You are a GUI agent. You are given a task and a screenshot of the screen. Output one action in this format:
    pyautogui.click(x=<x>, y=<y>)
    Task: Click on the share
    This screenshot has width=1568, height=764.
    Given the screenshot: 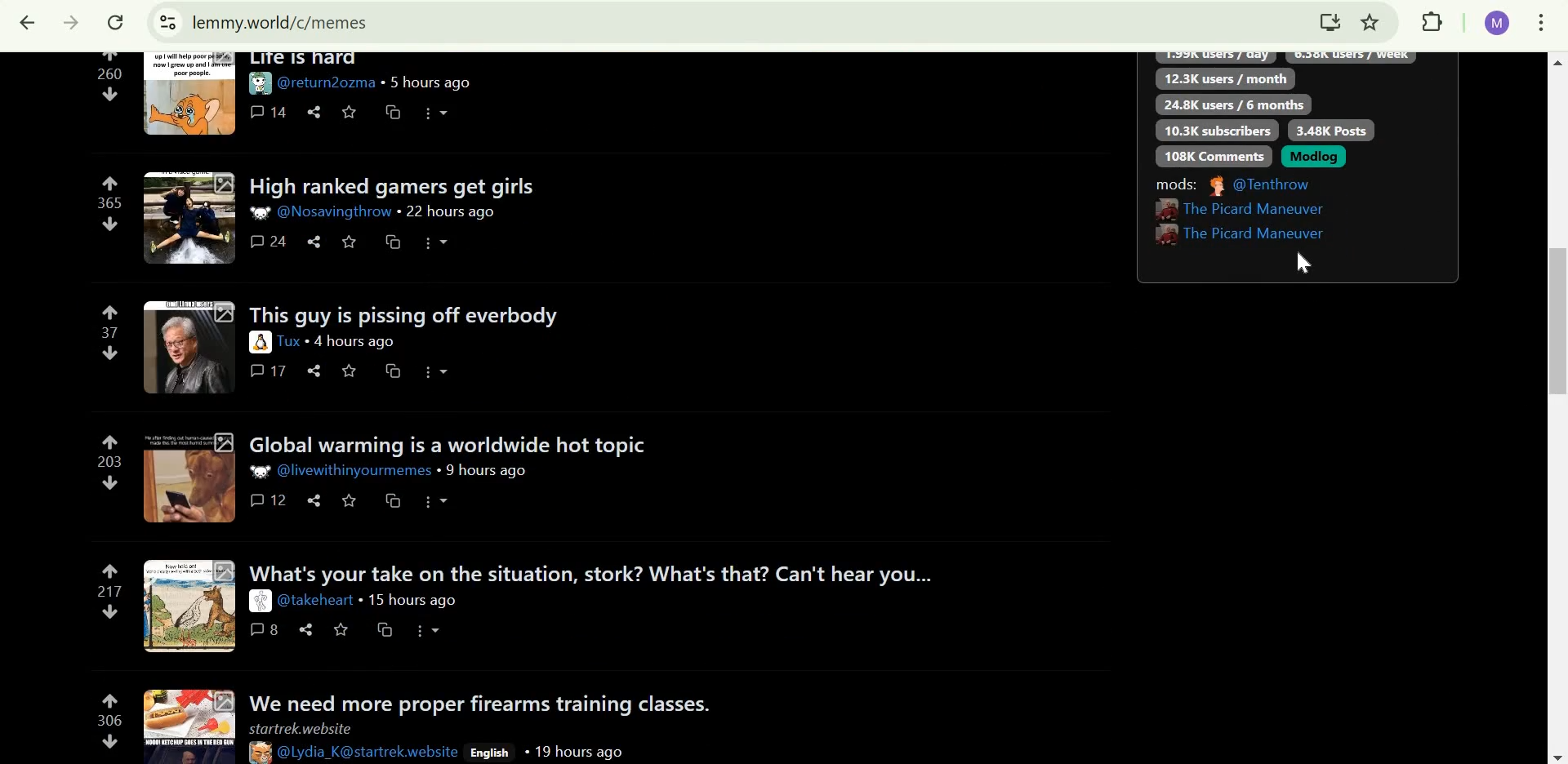 What is the action you would take?
    pyautogui.click(x=318, y=241)
    